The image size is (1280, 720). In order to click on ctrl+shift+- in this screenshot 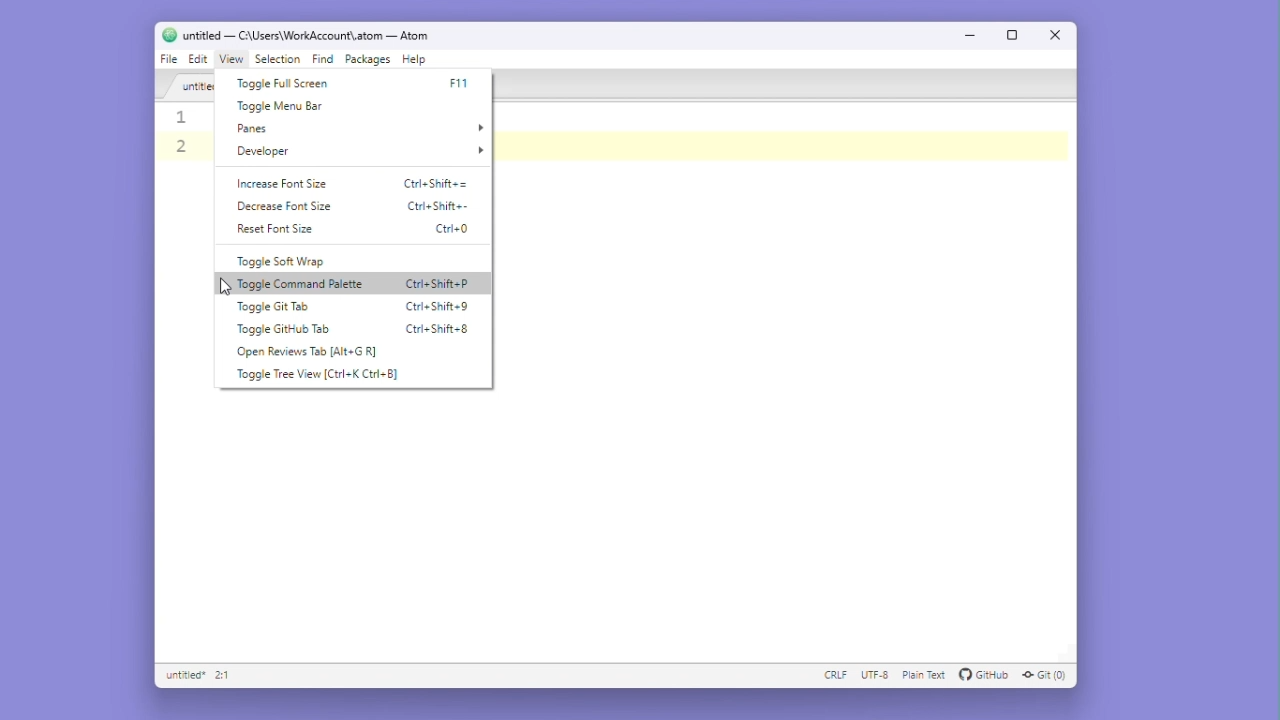, I will do `click(438, 206)`.